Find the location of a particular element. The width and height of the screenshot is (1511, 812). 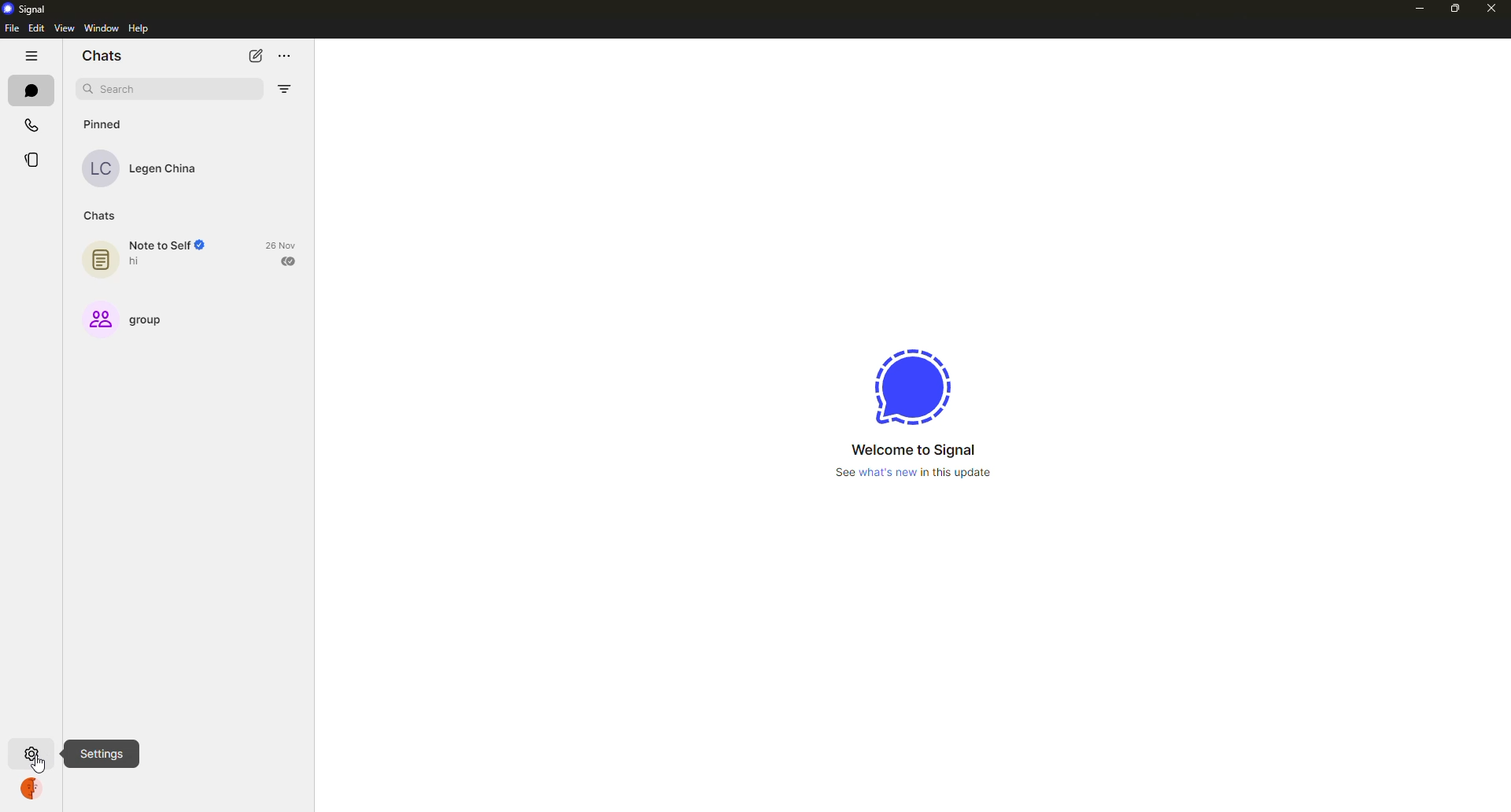

Chat Icon is located at coordinates (101, 260).